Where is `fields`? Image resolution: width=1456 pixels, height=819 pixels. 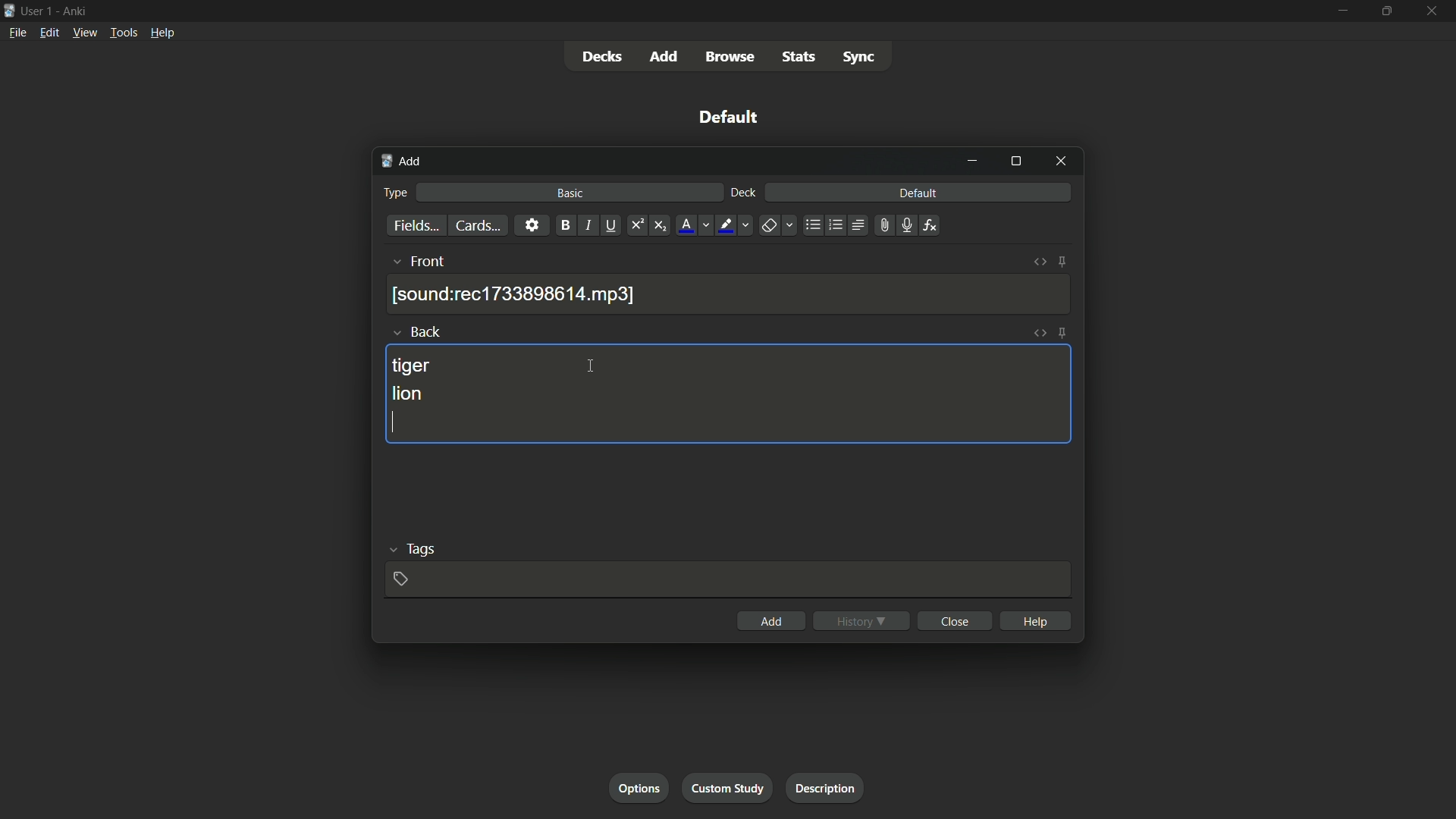 fields is located at coordinates (415, 226).